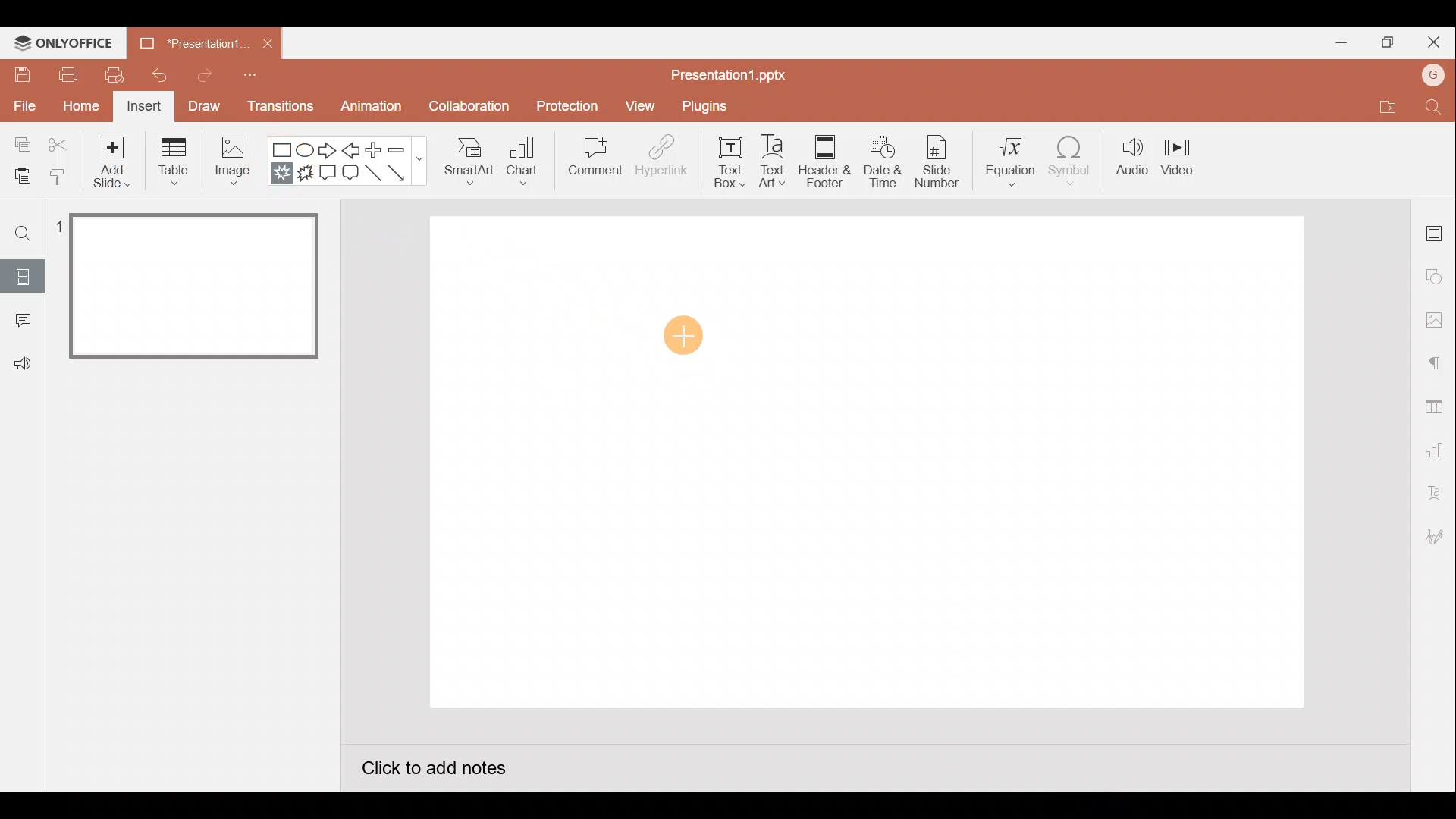 The width and height of the screenshot is (1456, 819). I want to click on Rounded rectangular callout, so click(350, 174).